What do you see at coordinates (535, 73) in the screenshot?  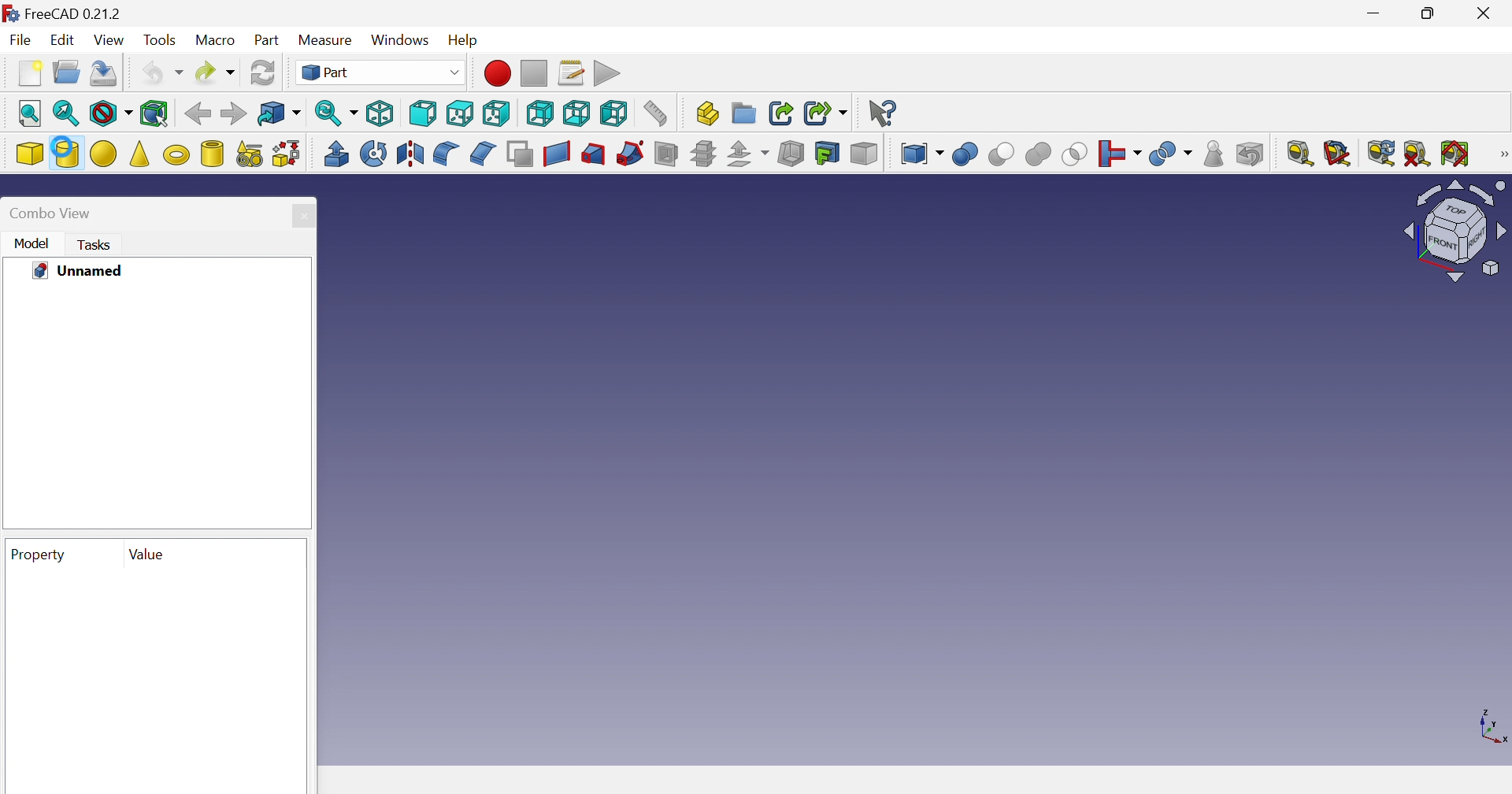 I see `Stop macro recording` at bounding box center [535, 73].